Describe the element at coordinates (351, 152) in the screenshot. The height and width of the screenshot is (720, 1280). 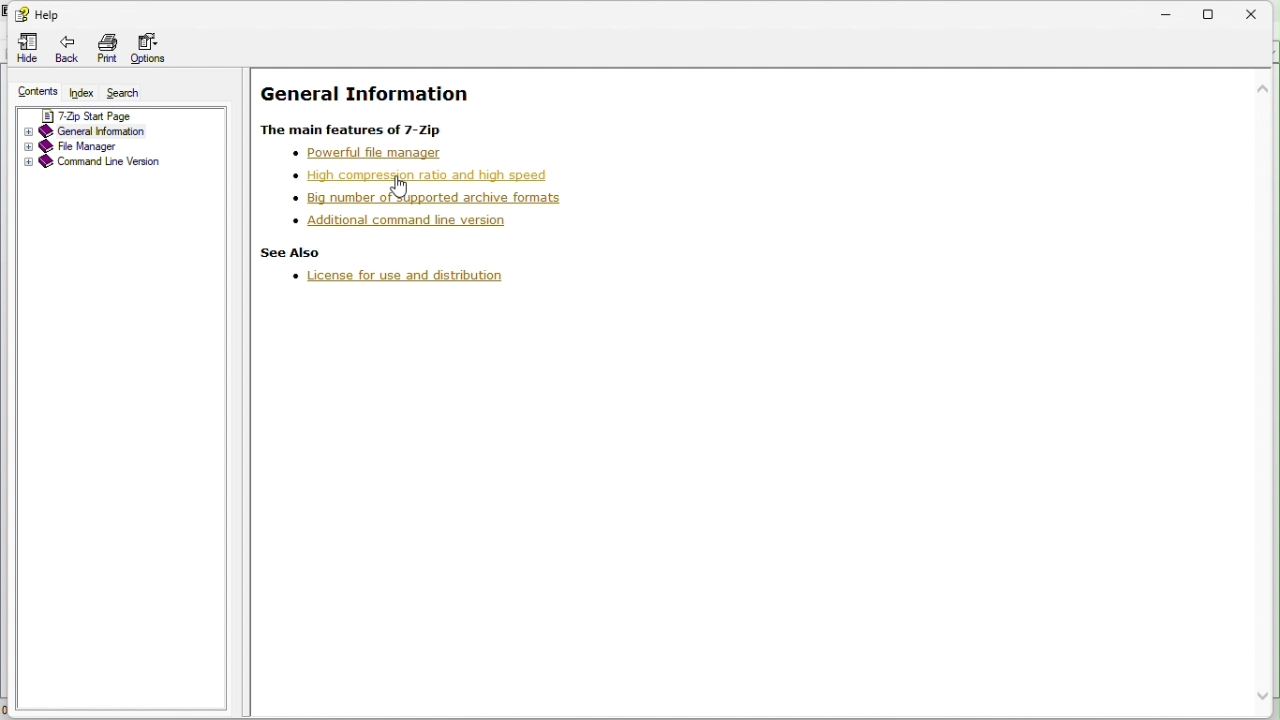
I see `Powerful file manager` at that location.